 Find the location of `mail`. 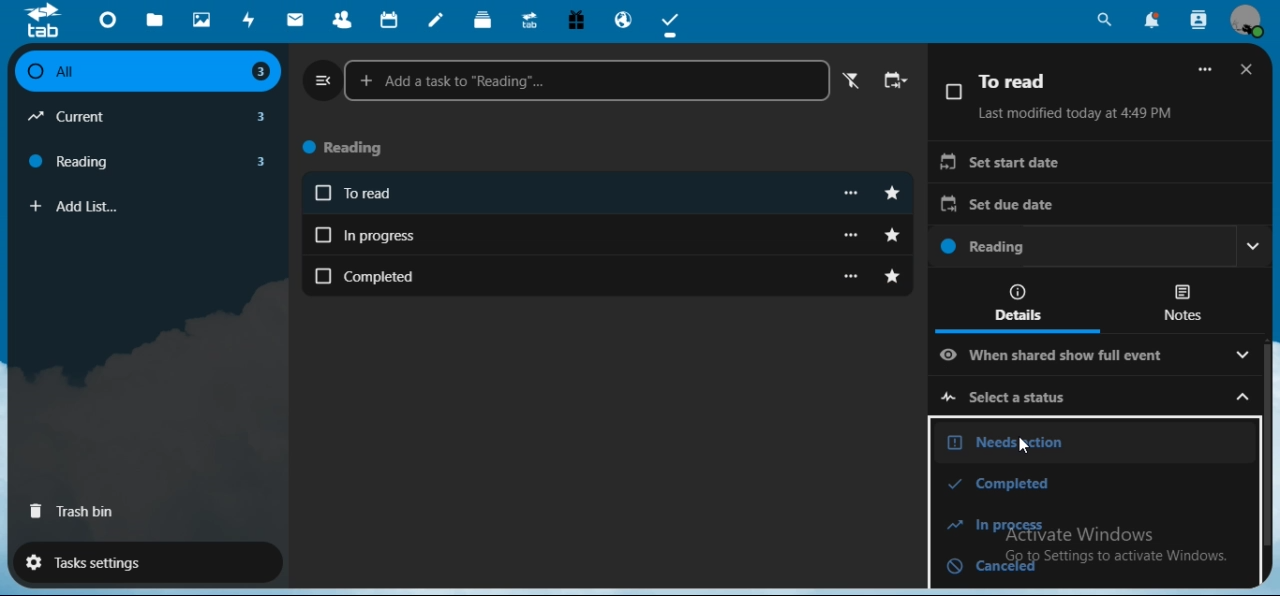

mail is located at coordinates (297, 20).